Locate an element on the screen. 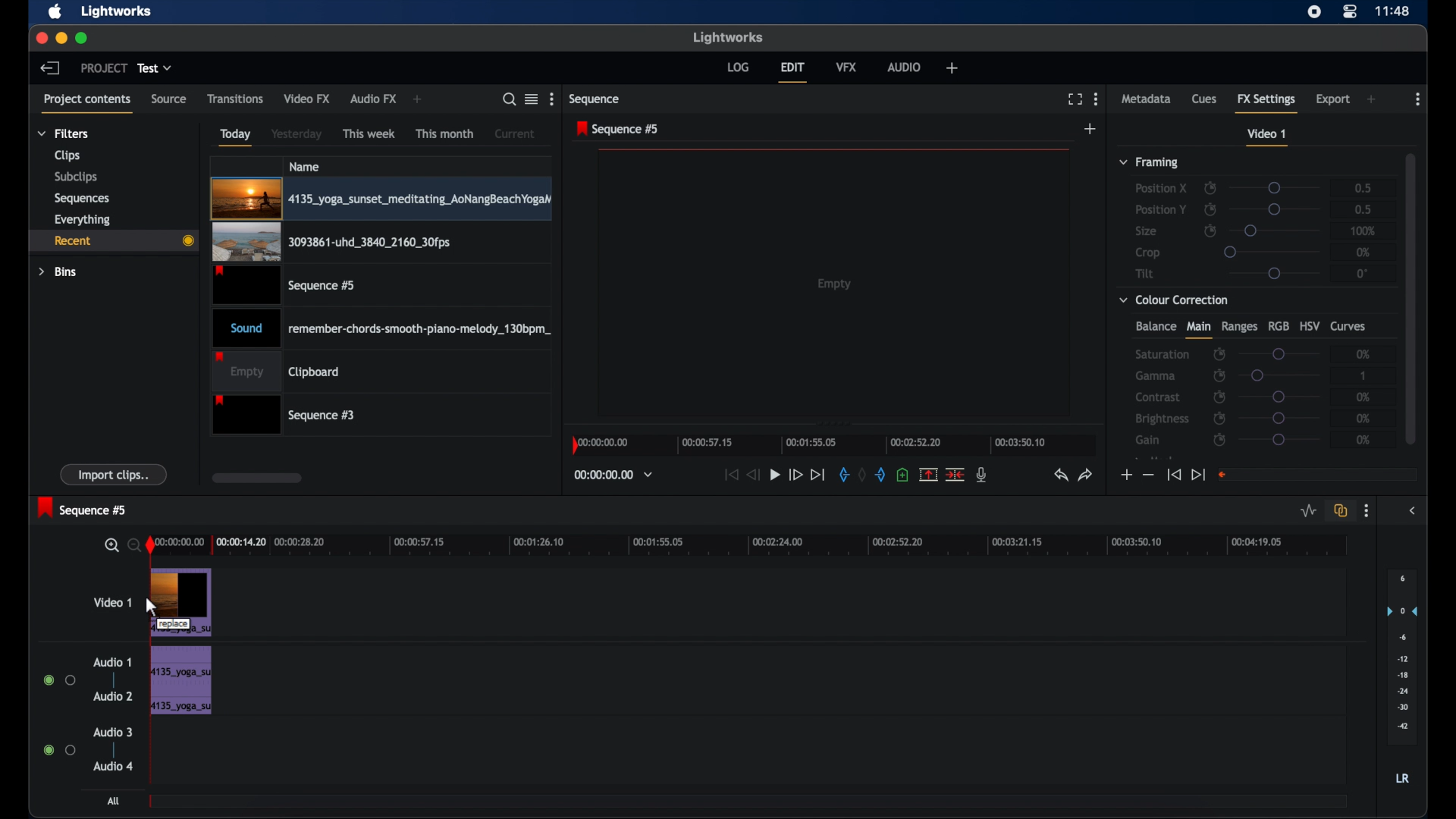 This screenshot has height=819, width=1456. ranges is located at coordinates (1239, 327).